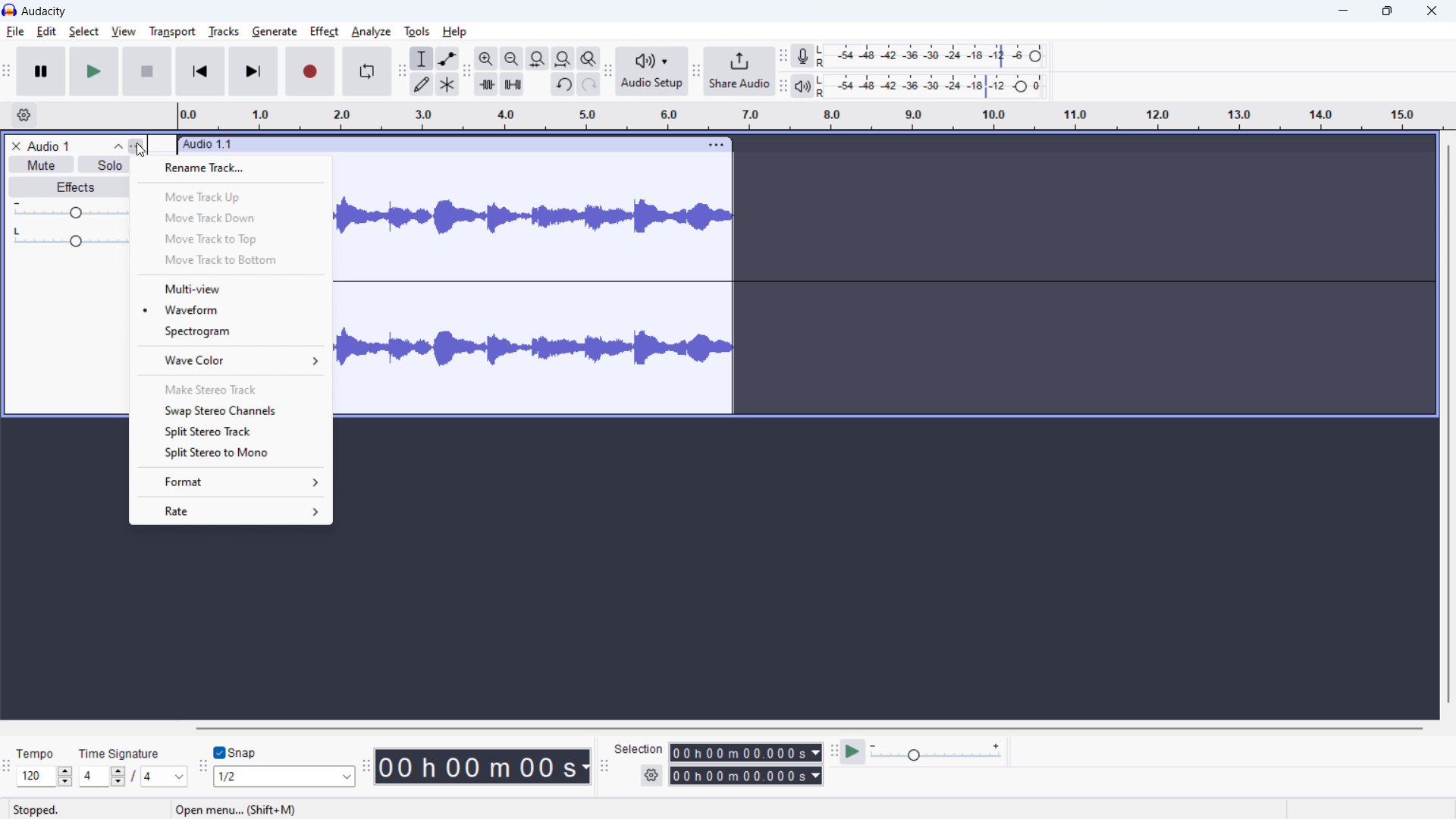 The width and height of the screenshot is (1456, 819). Describe the element at coordinates (9, 10) in the screenshot. I see `logo` at that location.